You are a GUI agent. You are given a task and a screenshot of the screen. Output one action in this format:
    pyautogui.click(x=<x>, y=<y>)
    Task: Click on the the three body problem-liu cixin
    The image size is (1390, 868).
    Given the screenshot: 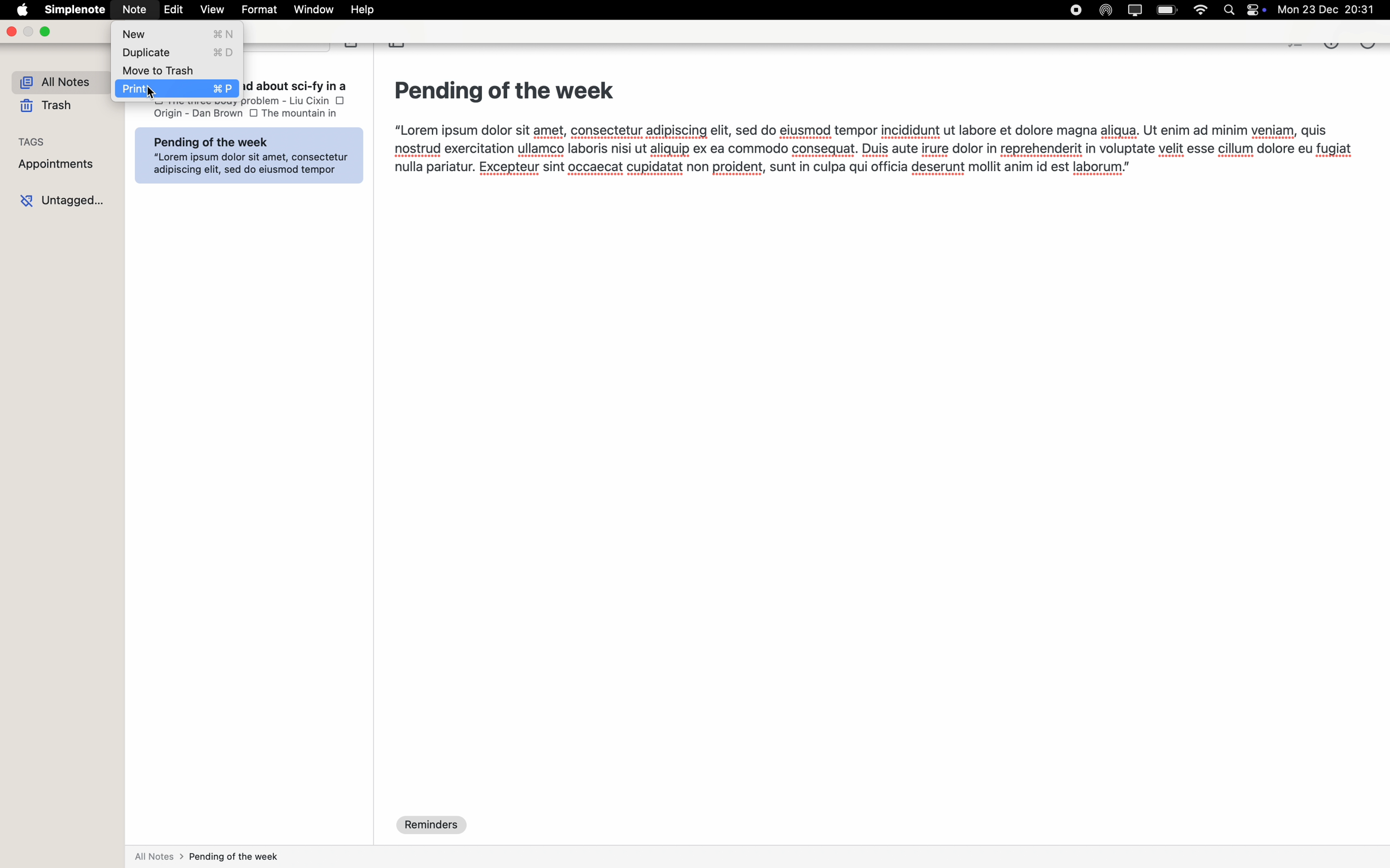 What is the action you would take?
    pyautogui.click(x=289, y=100)
    